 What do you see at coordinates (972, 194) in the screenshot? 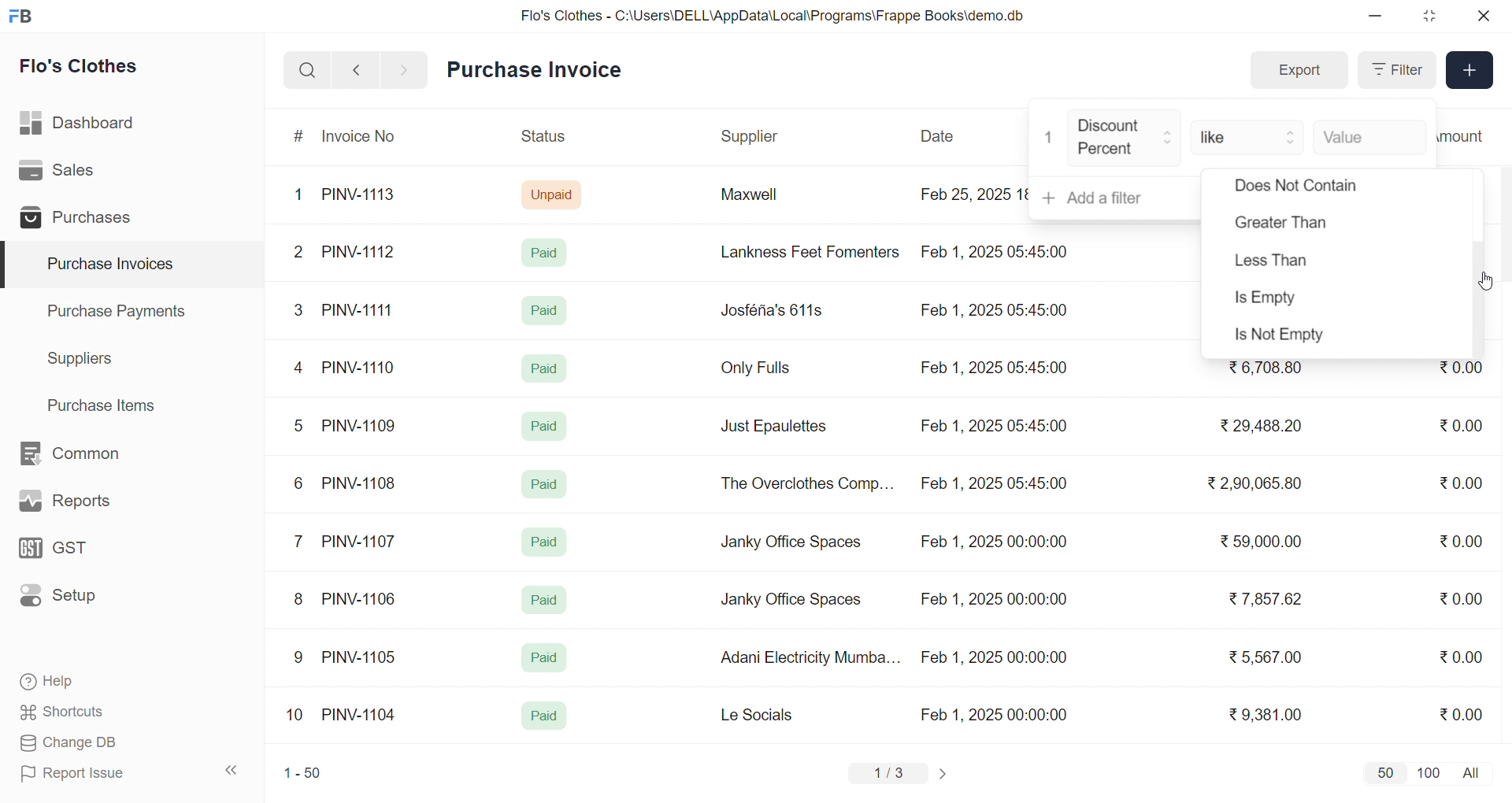
I see `Feb 25, 2025 18:16:25` at bounding box center [972, 194].